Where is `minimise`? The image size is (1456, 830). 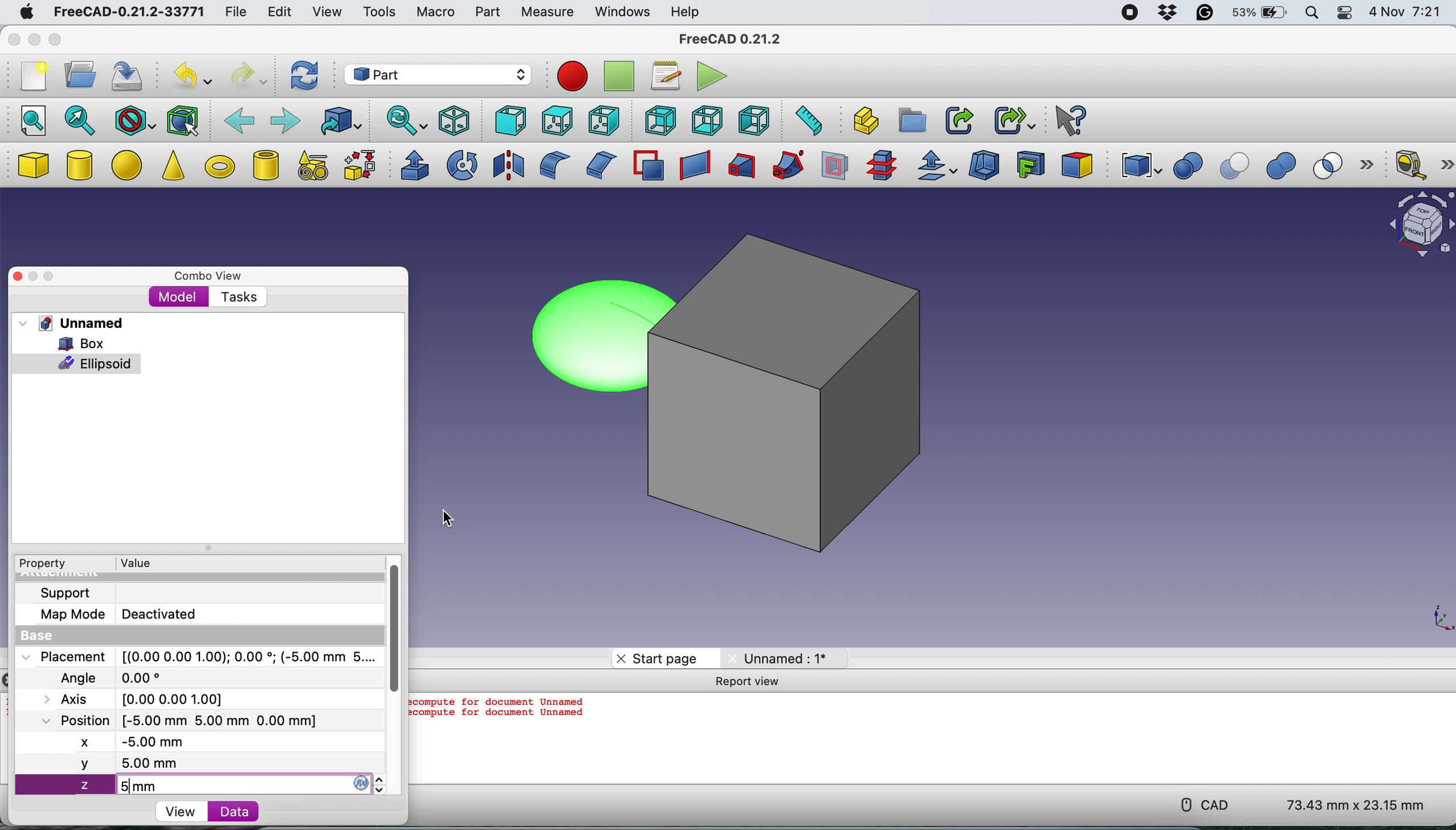 minimise is located at coordinates (35, 276).